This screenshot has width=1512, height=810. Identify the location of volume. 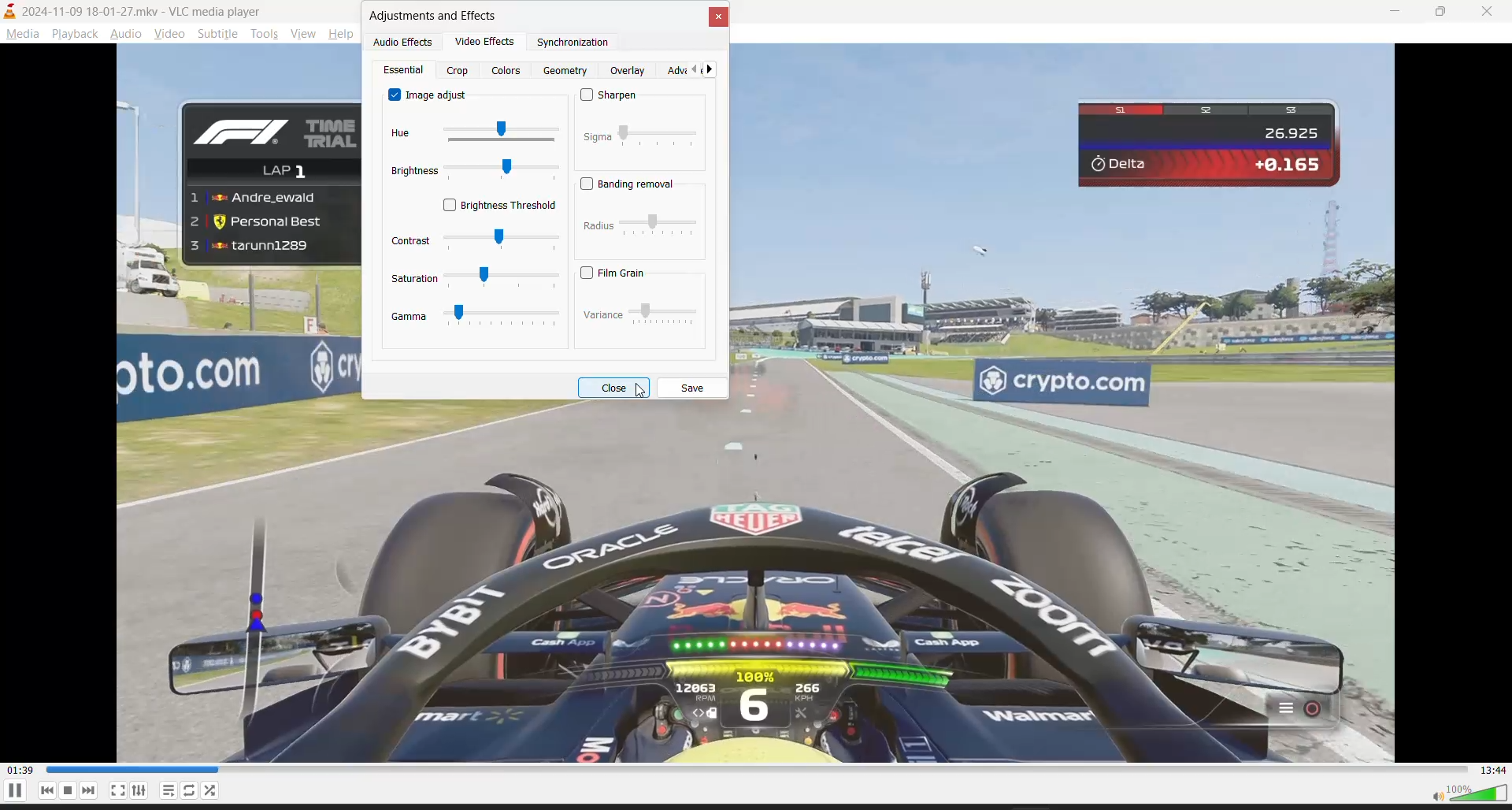
(1464, 795).